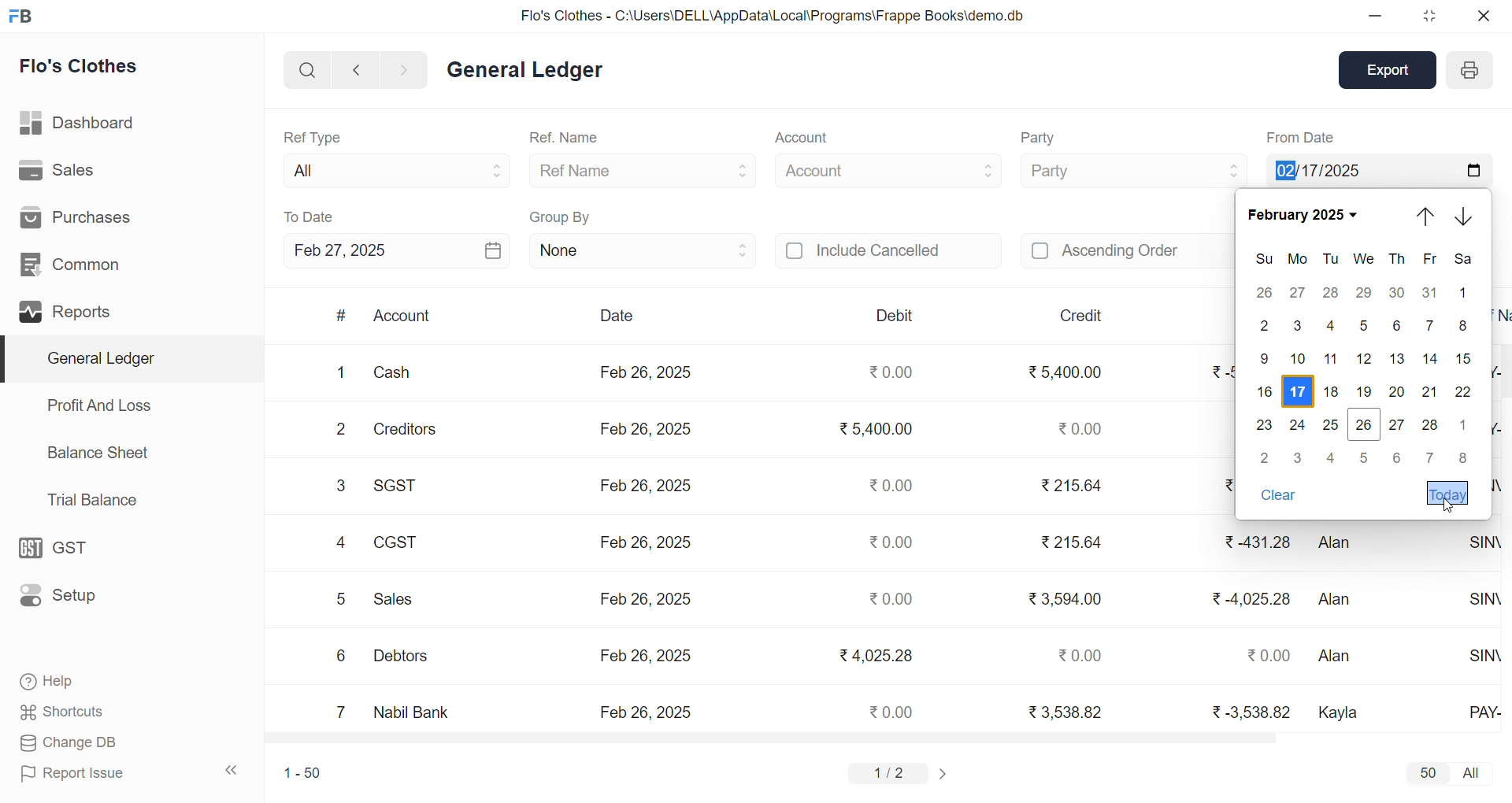 This screenshot has width=1512, height=803. I want to click on ₹4,025.28, so click(875, 655).